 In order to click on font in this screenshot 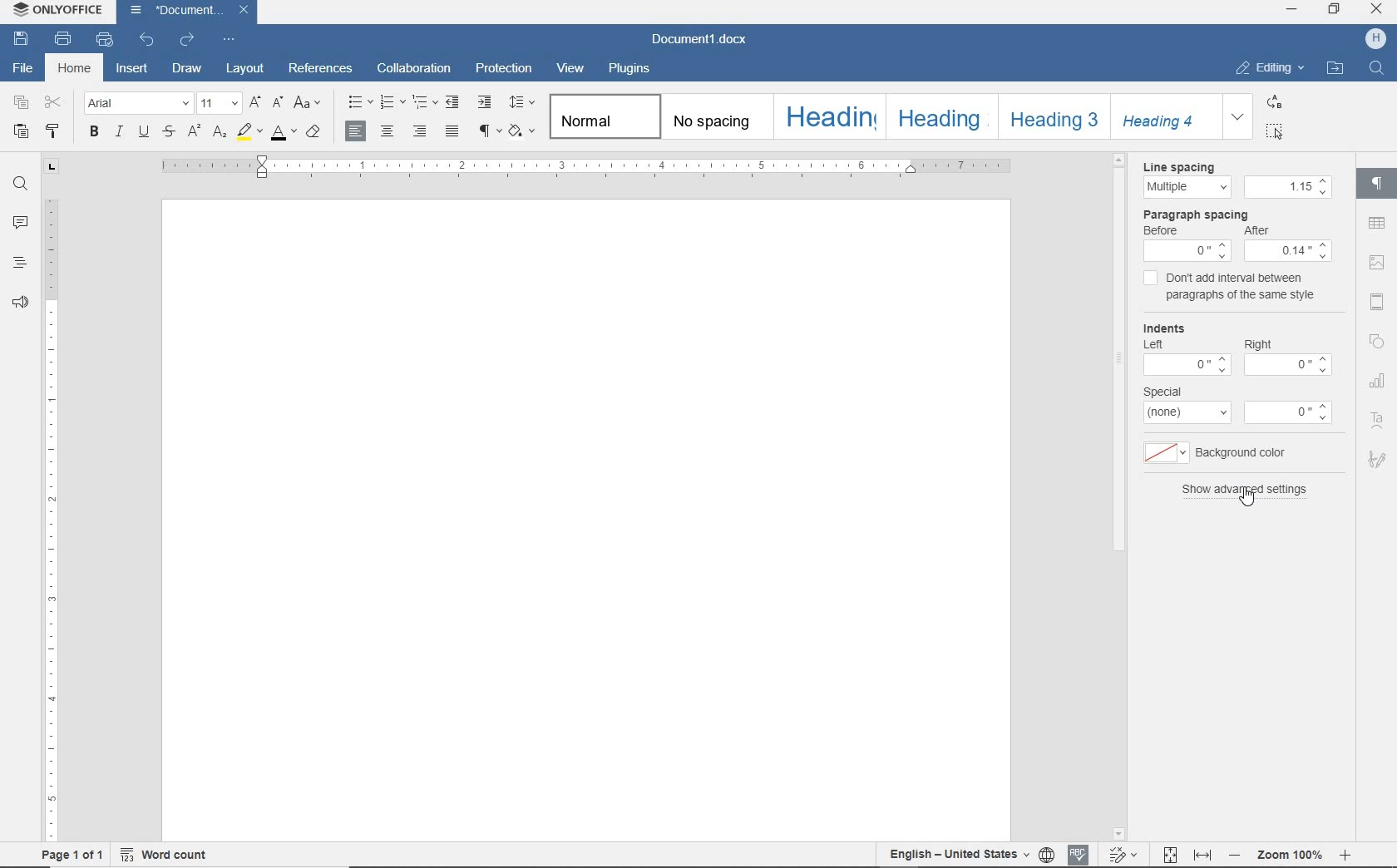, I will do `click(136, 103)`.